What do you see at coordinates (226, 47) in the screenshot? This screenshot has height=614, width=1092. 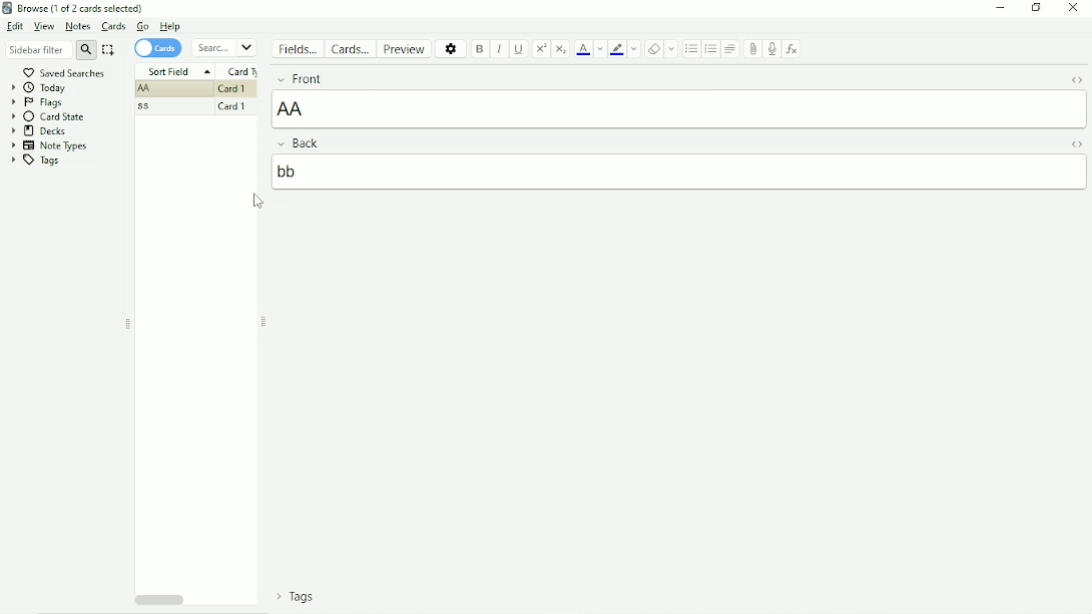 I see `Search` at bounding box center [226, 47].